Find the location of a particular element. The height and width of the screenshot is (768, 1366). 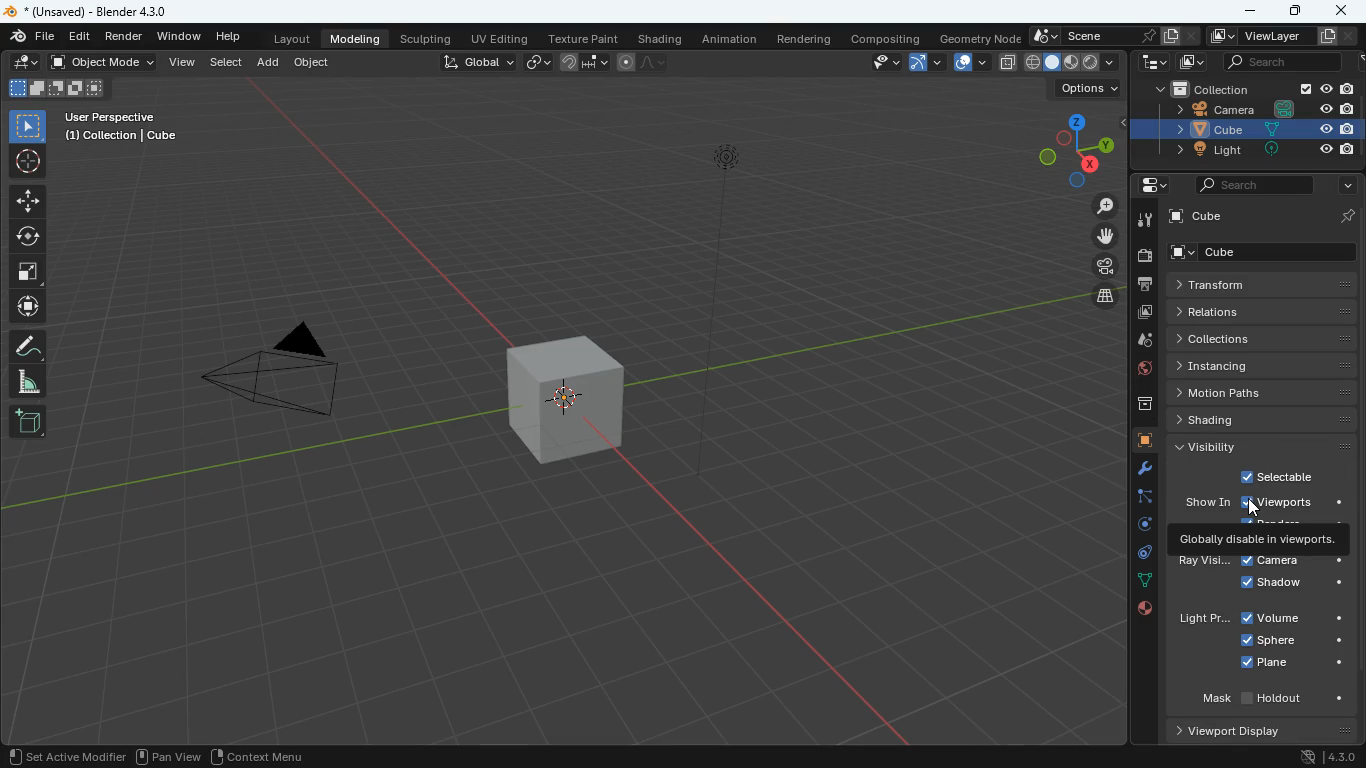

edit is located at coordinates (32, 36).